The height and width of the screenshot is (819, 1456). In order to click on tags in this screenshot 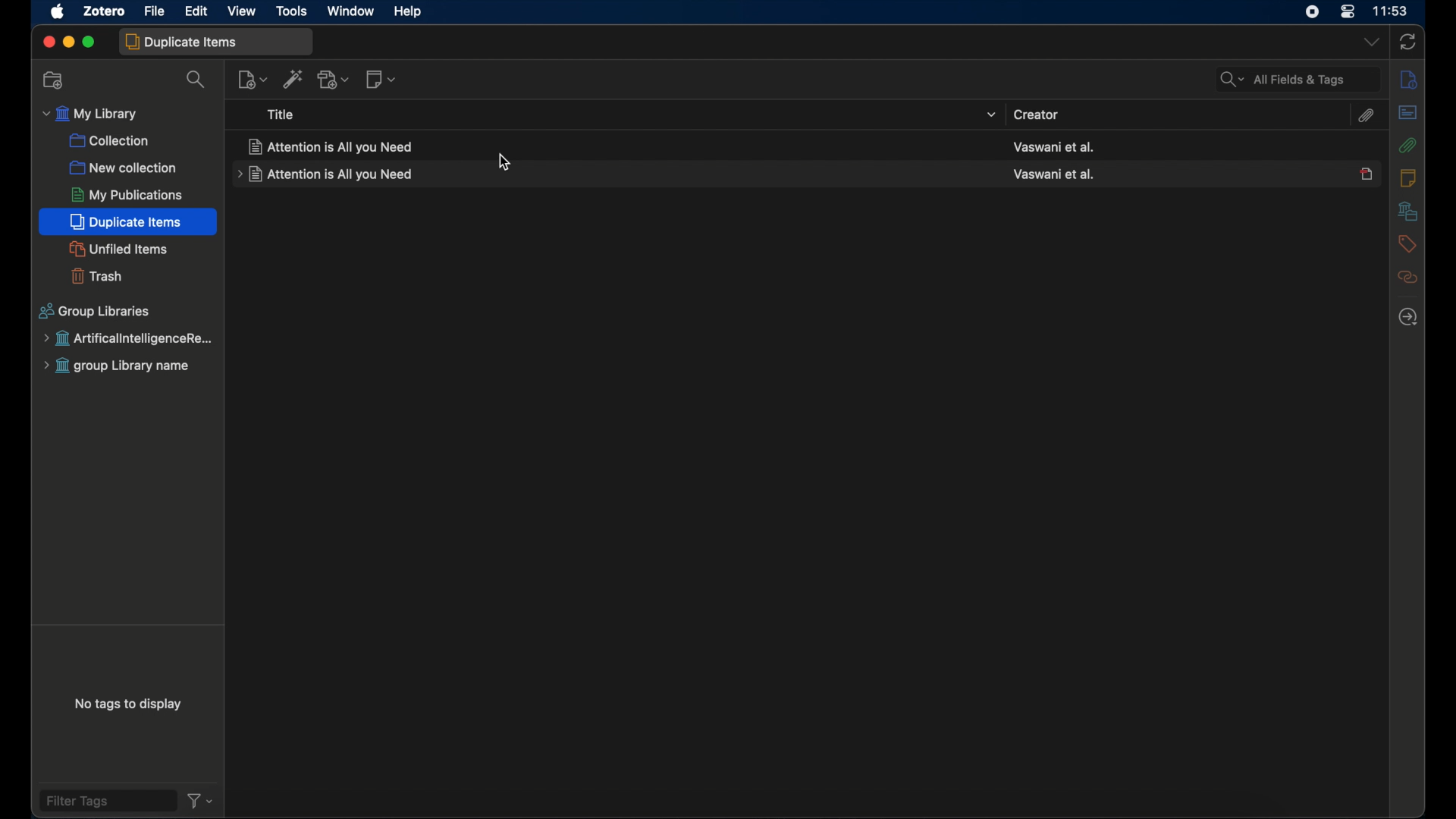, I will do `click(1406, 245)`.